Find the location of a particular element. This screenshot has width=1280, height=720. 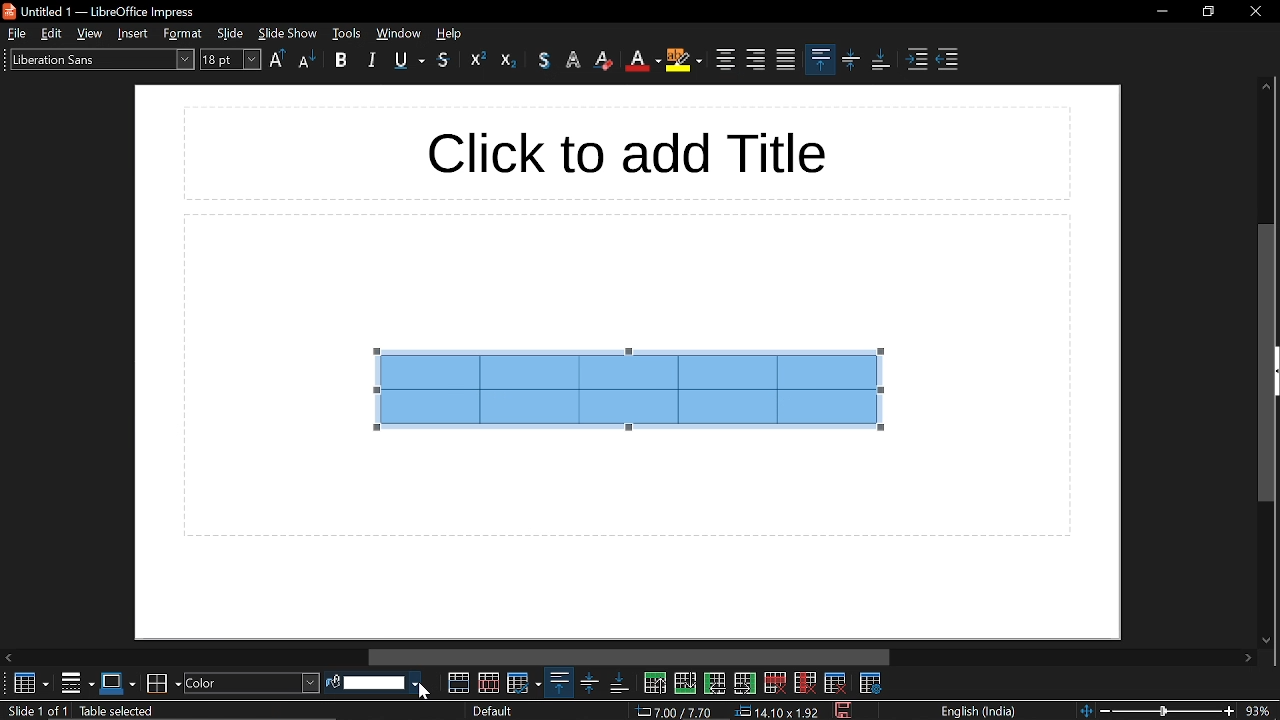

text color is located at coordinates (643, 61).